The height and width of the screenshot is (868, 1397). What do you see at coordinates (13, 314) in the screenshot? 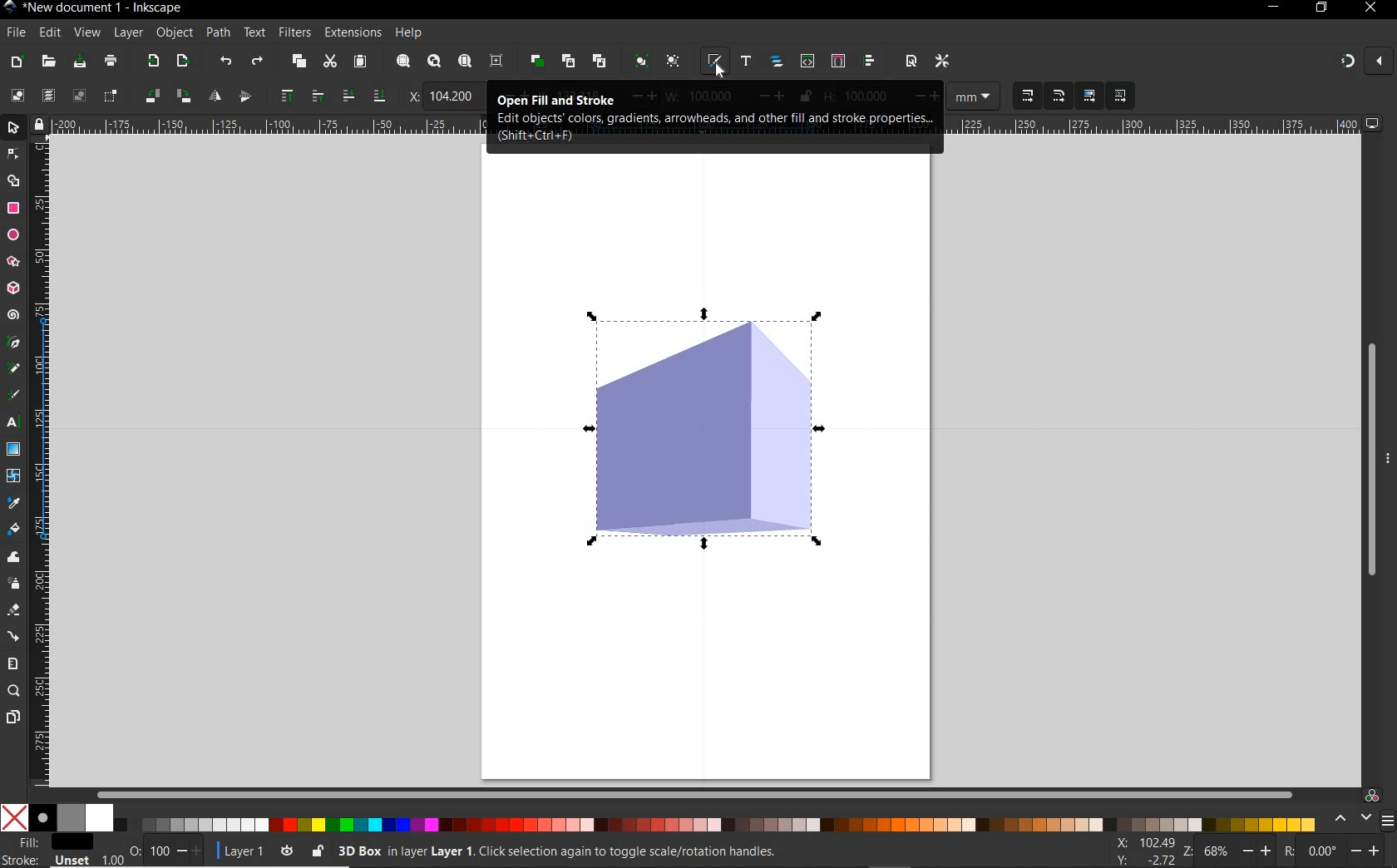
I see `SPIRAL TOOL` at bounding box center [13, 314].